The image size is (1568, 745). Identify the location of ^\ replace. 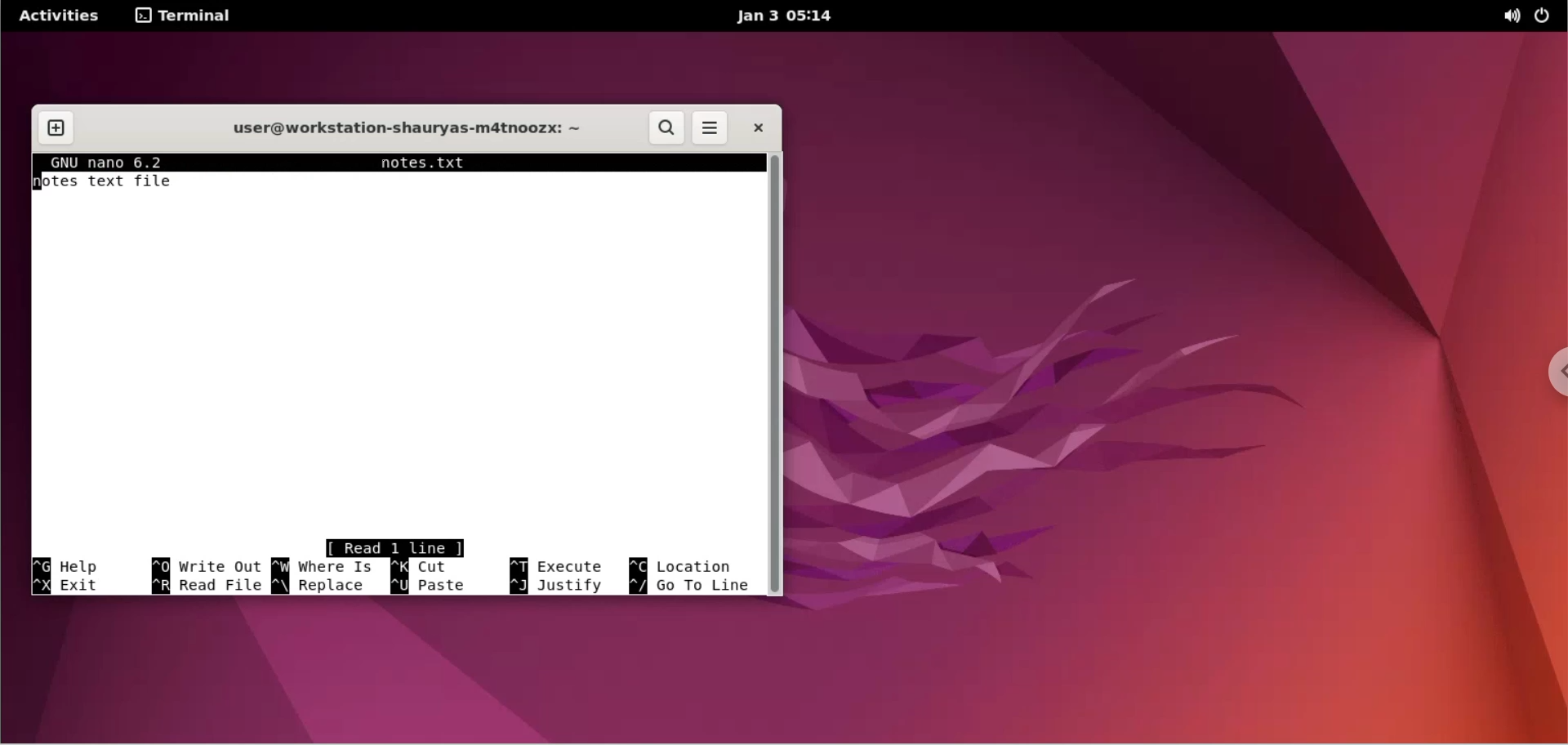
(332, 587).